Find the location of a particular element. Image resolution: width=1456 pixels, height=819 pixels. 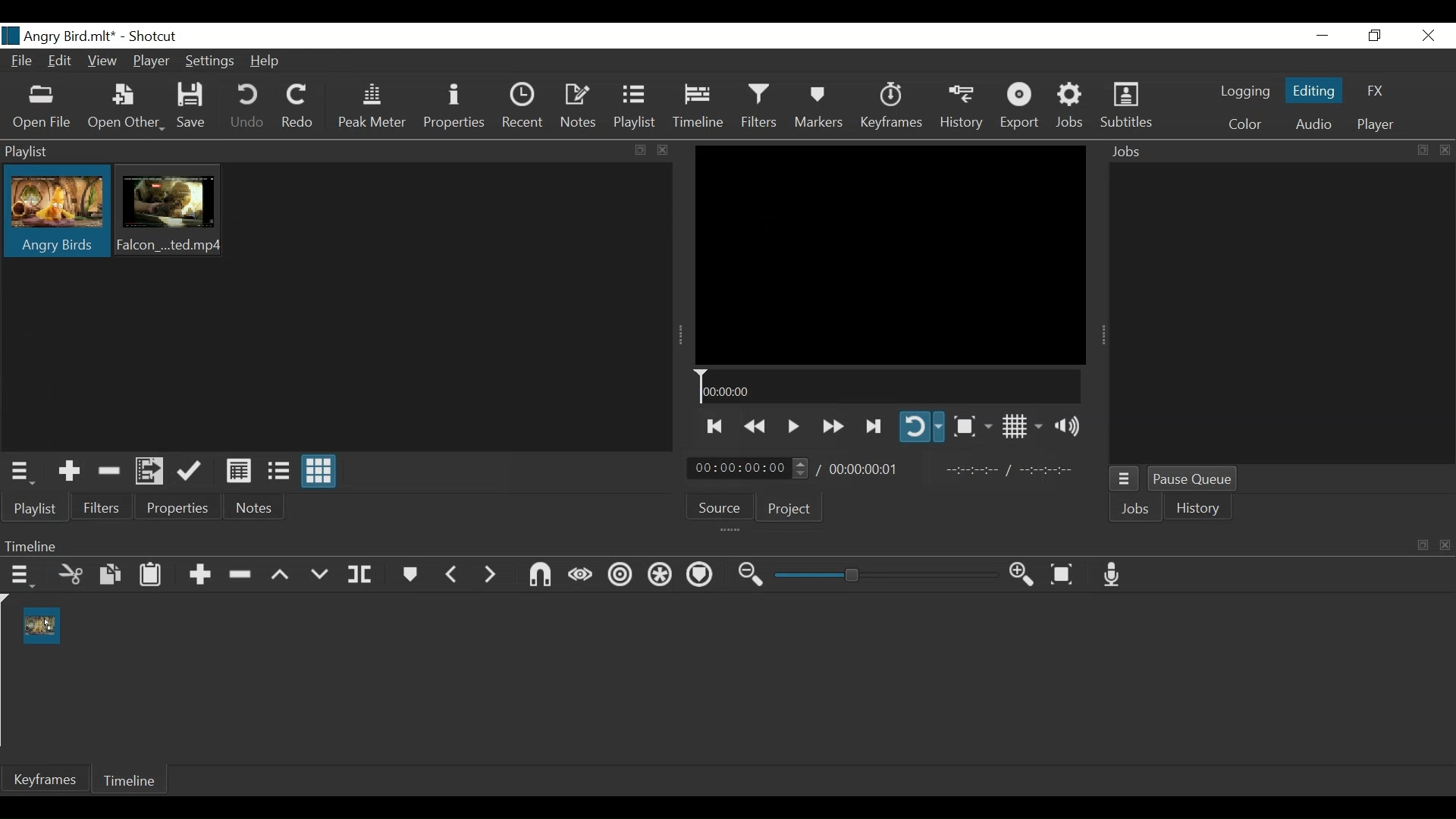

Add files to the playlist is located at coordinates (151, 472).